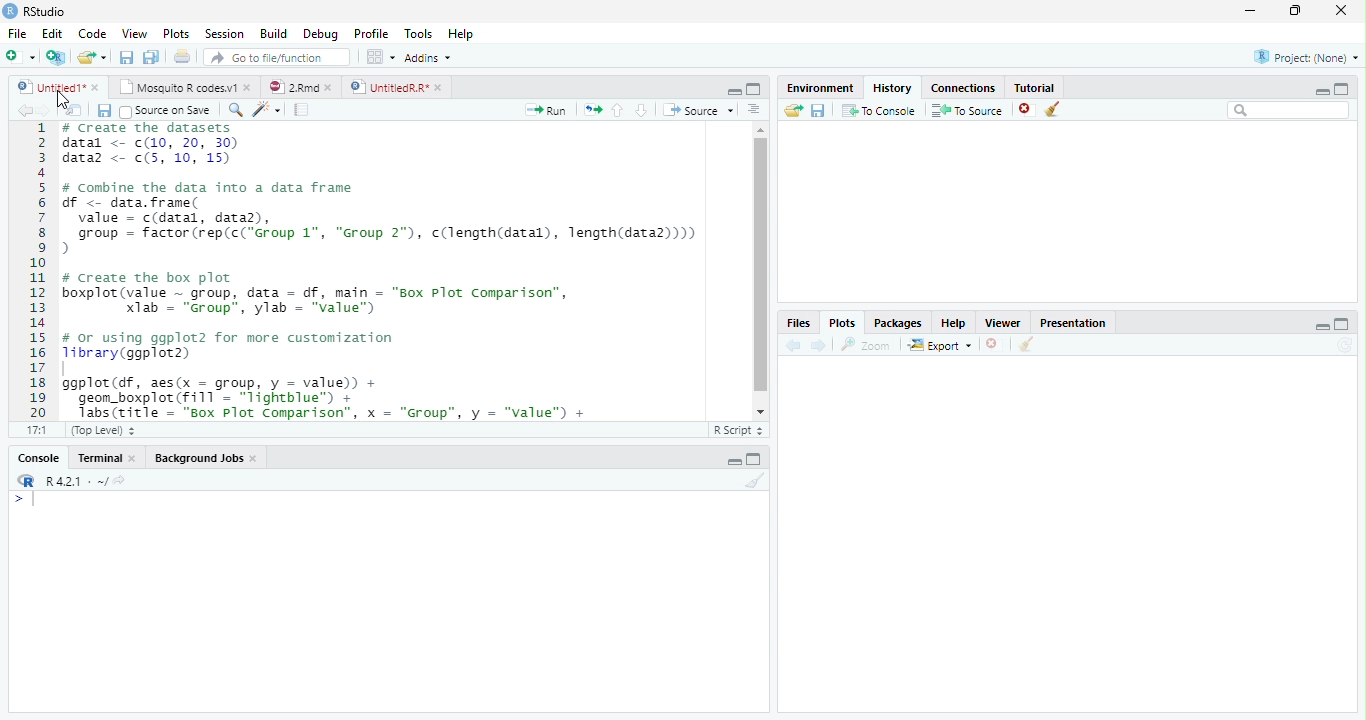 The width and height of the screenshot is (1366, 720). Describe the element at coordinates (319, 34) in the screenshot. I see `Debug` at that location.